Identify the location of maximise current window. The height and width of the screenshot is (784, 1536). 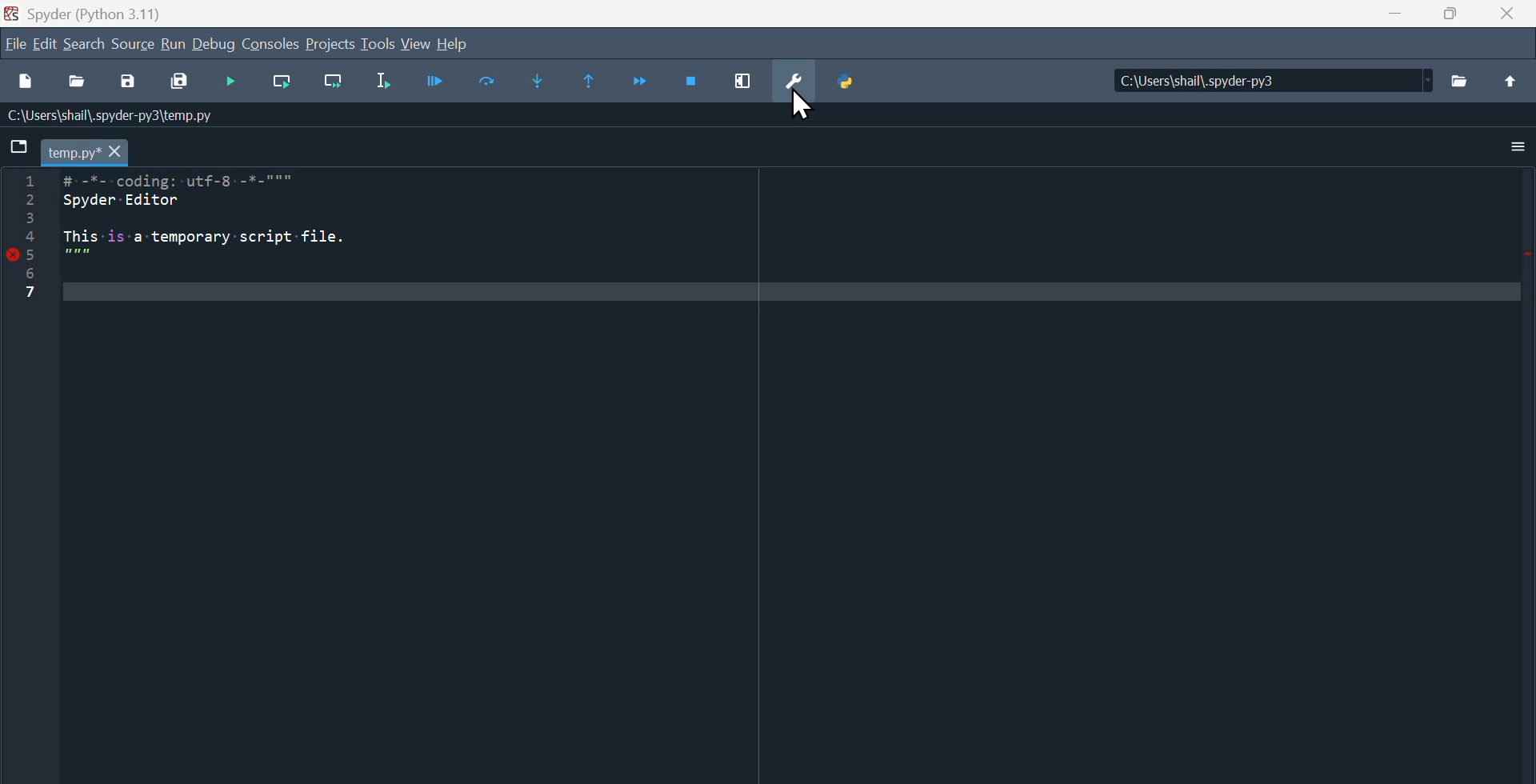
(753, 84).